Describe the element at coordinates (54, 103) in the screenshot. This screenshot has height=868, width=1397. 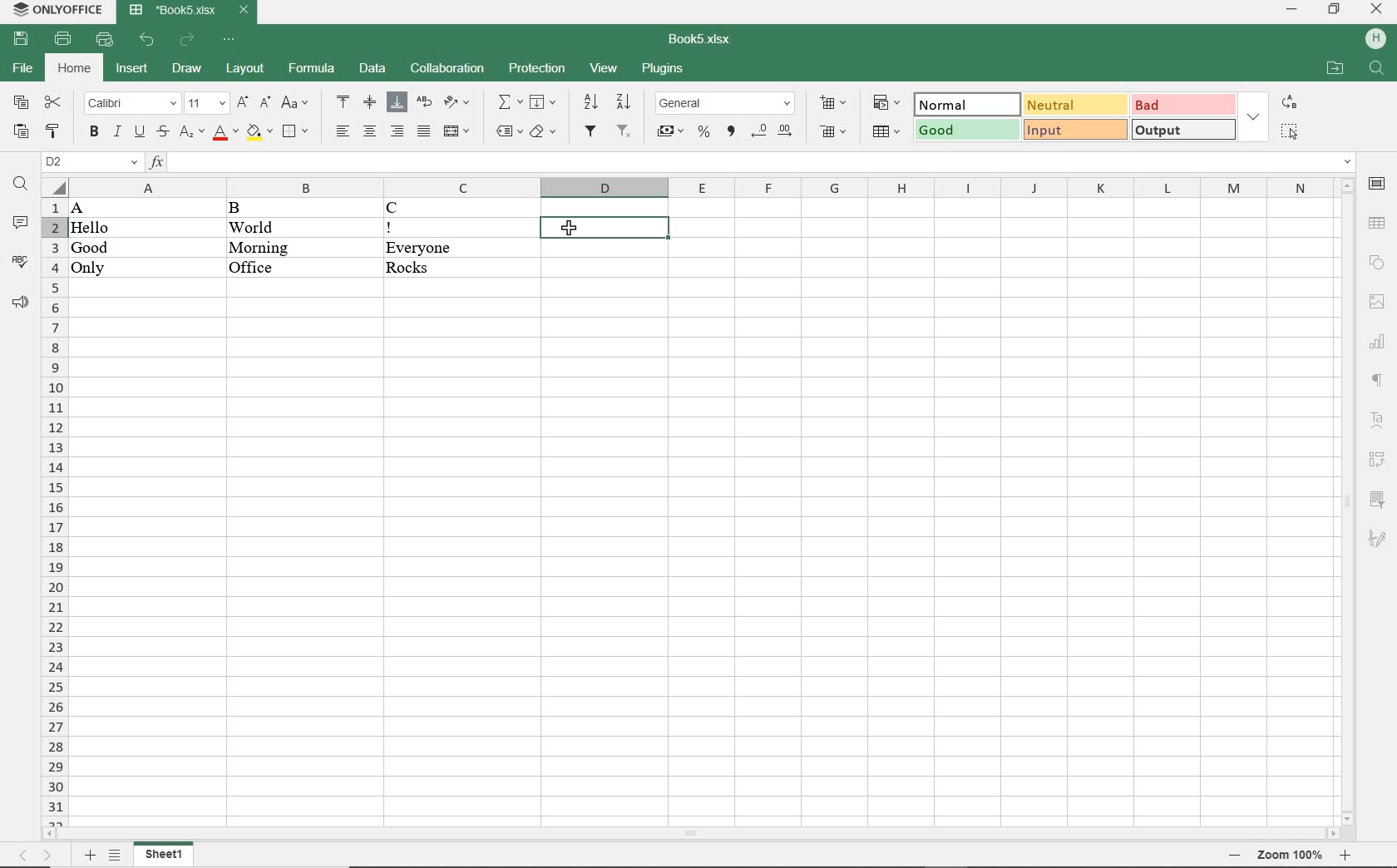
I see `CUT` at that location.